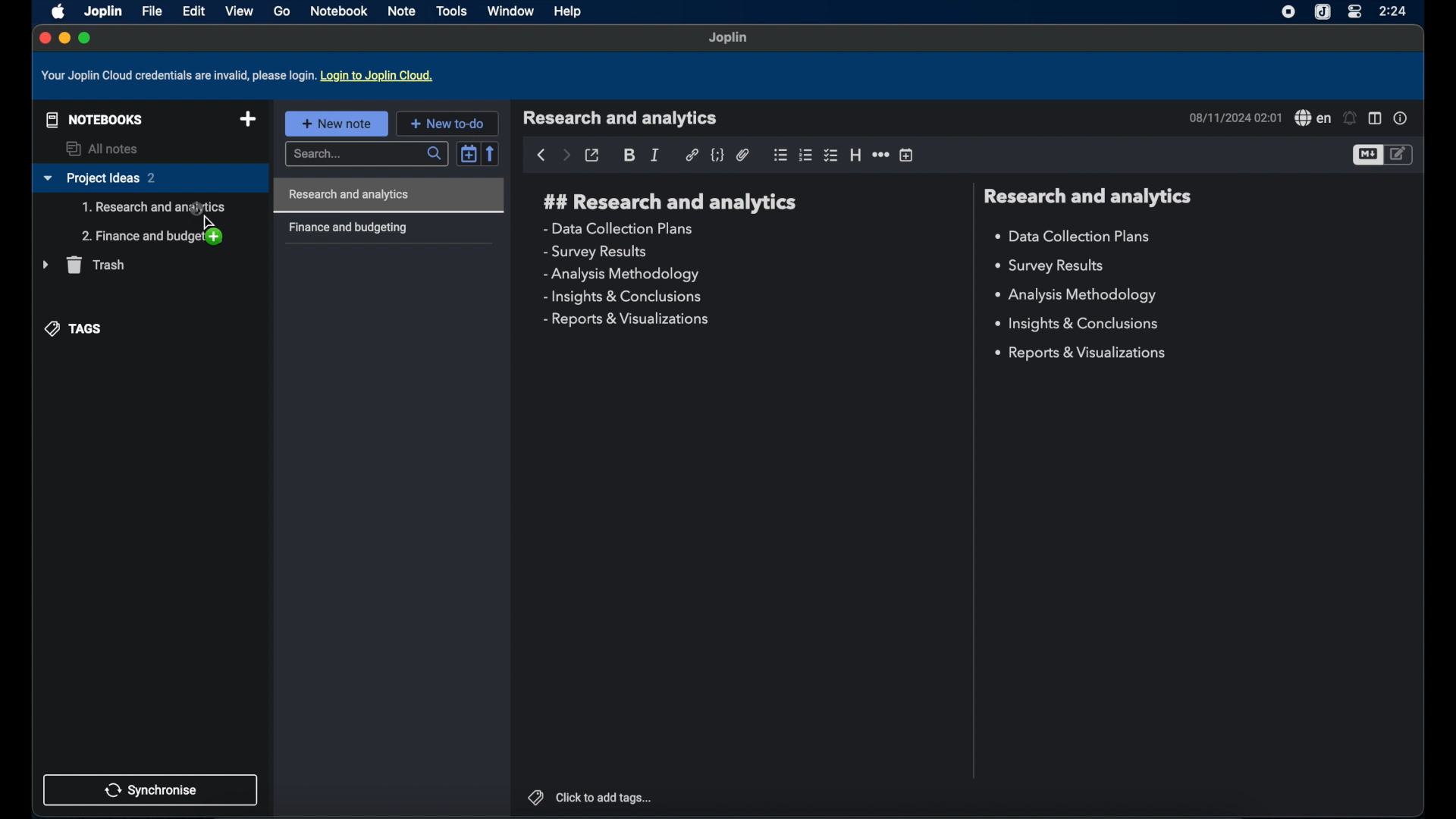 This screenshot has height=819, width=1456. I want to click on project ideas 2, so click(149, 179).